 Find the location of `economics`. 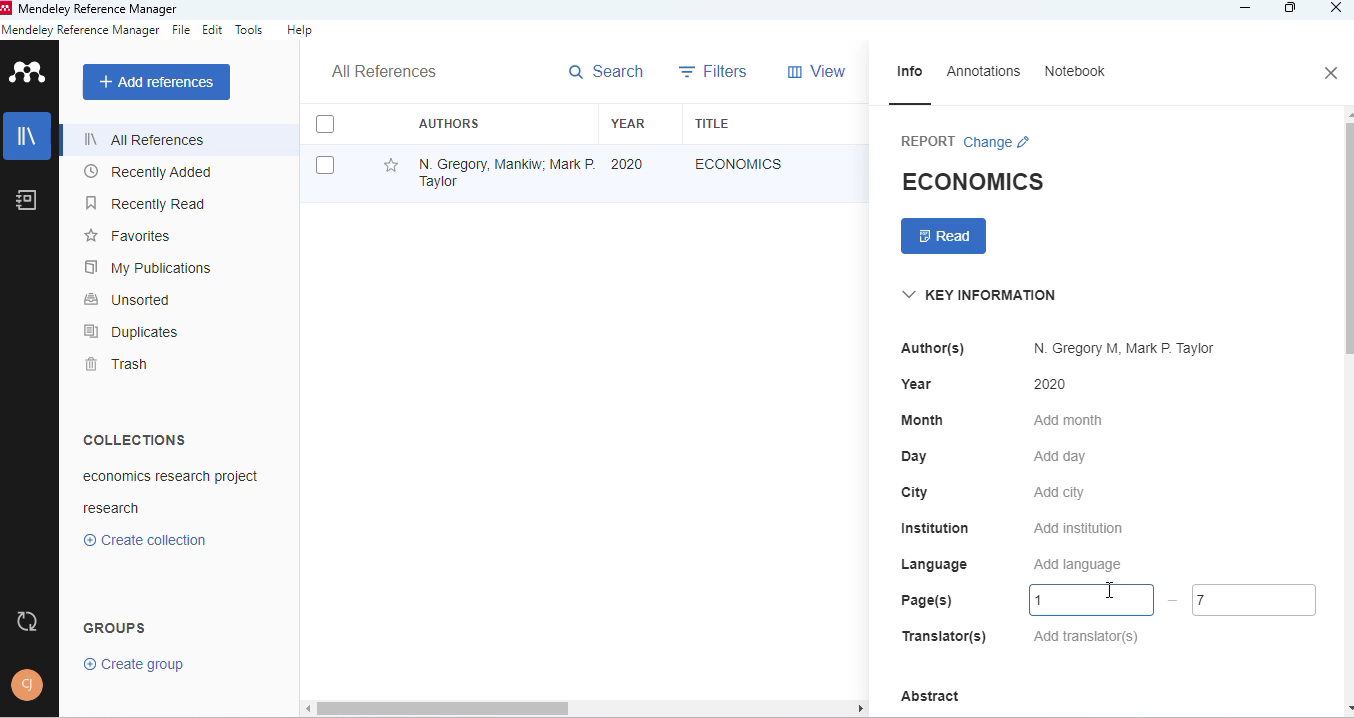

economics is located at coordinates (739, 164).